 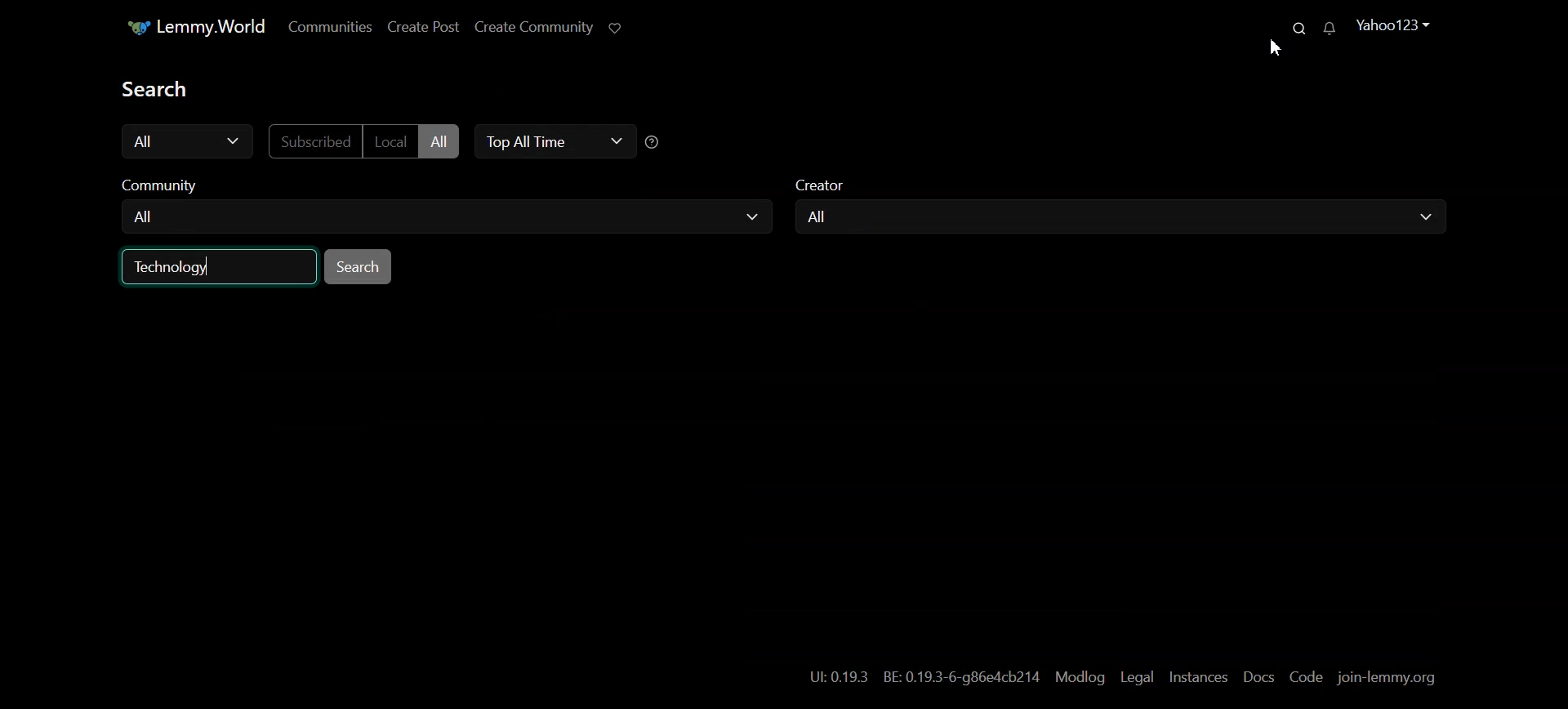 What do you see at coordinates (1305, 675) in the screenshot?
I see `Code` at bounding box center [1305, 675].